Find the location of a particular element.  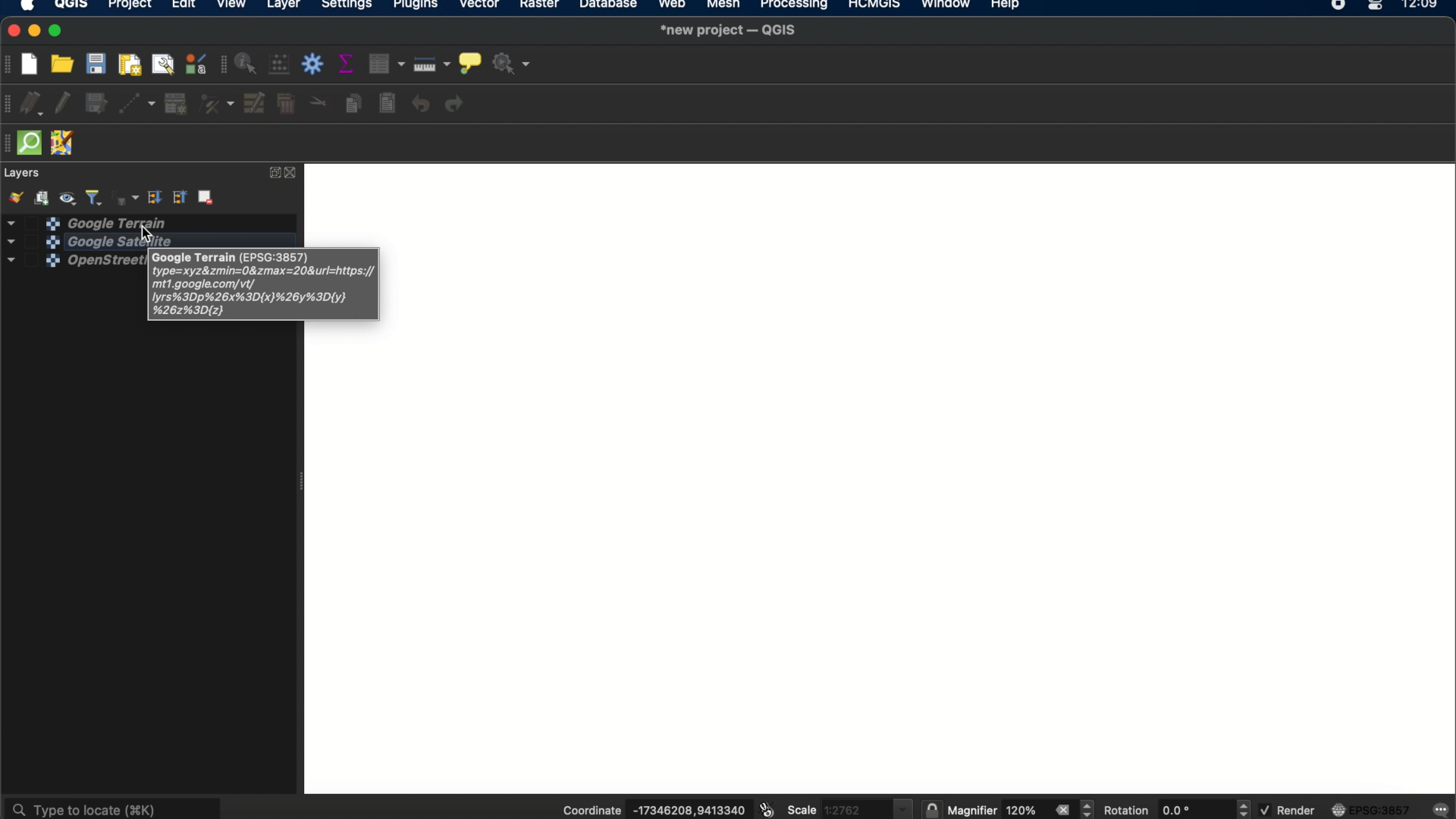

filter legend is located at coordinates (95, 196).